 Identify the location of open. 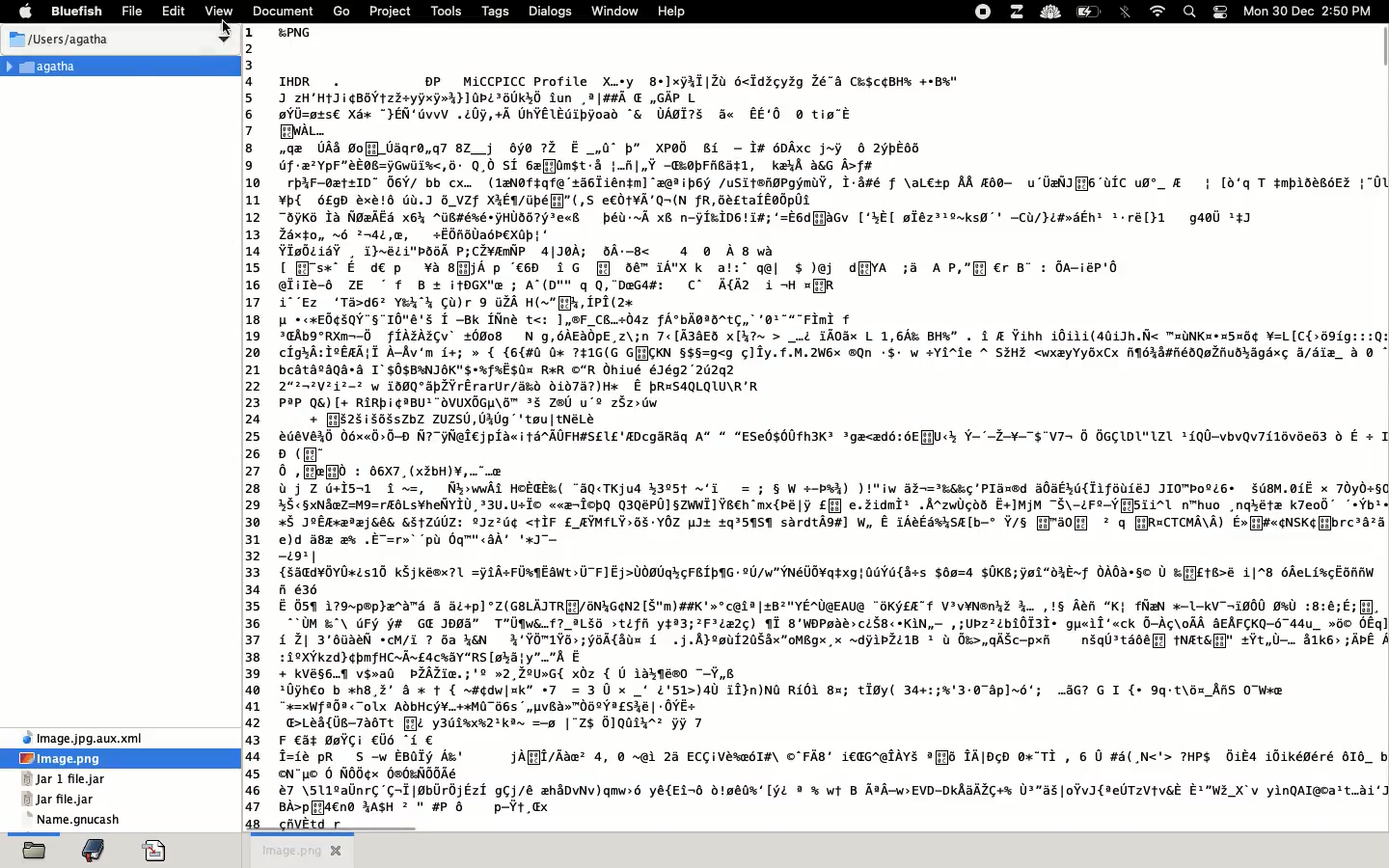
(39, 851).